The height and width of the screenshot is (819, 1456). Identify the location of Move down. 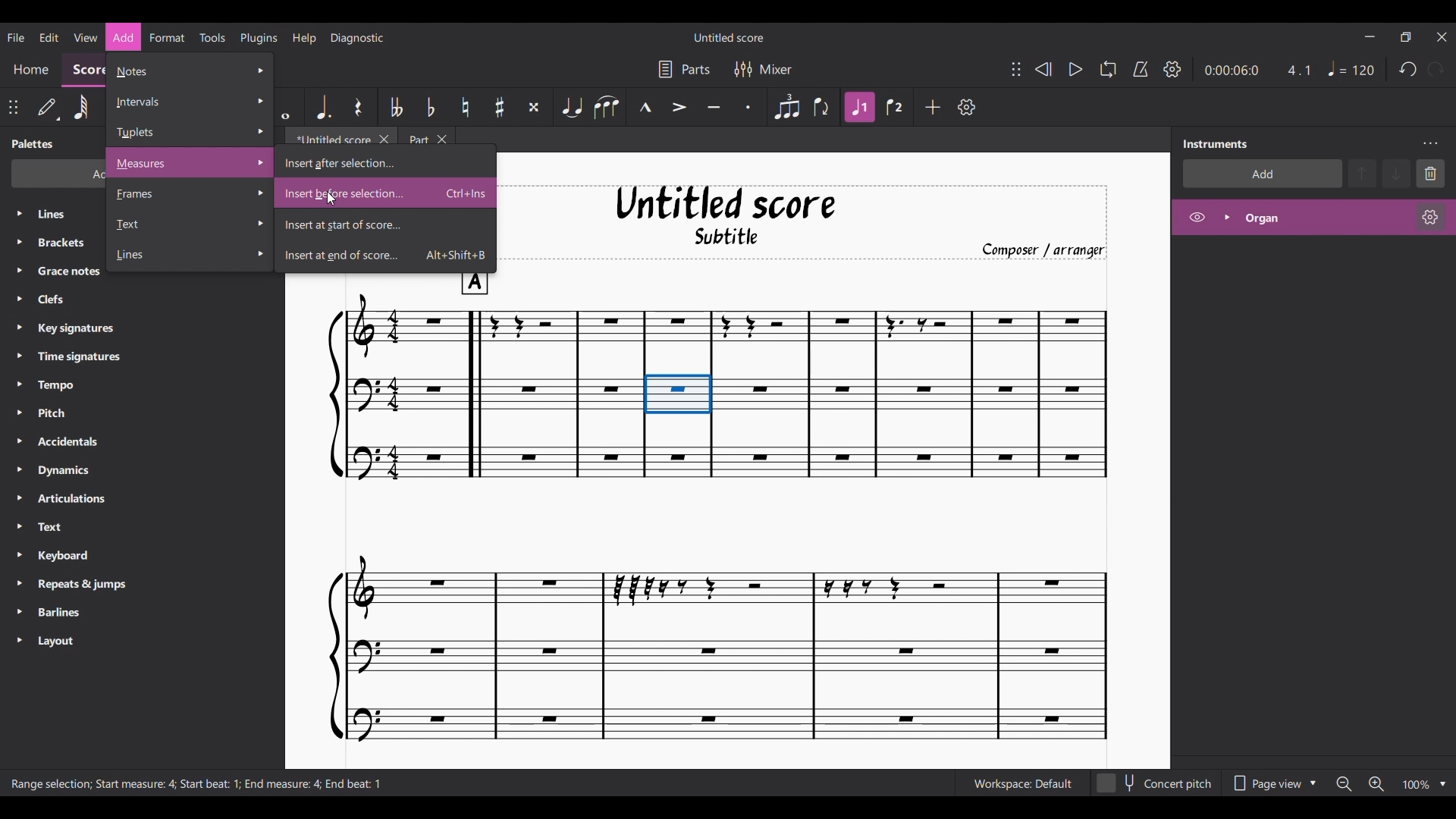
(1396, 173).